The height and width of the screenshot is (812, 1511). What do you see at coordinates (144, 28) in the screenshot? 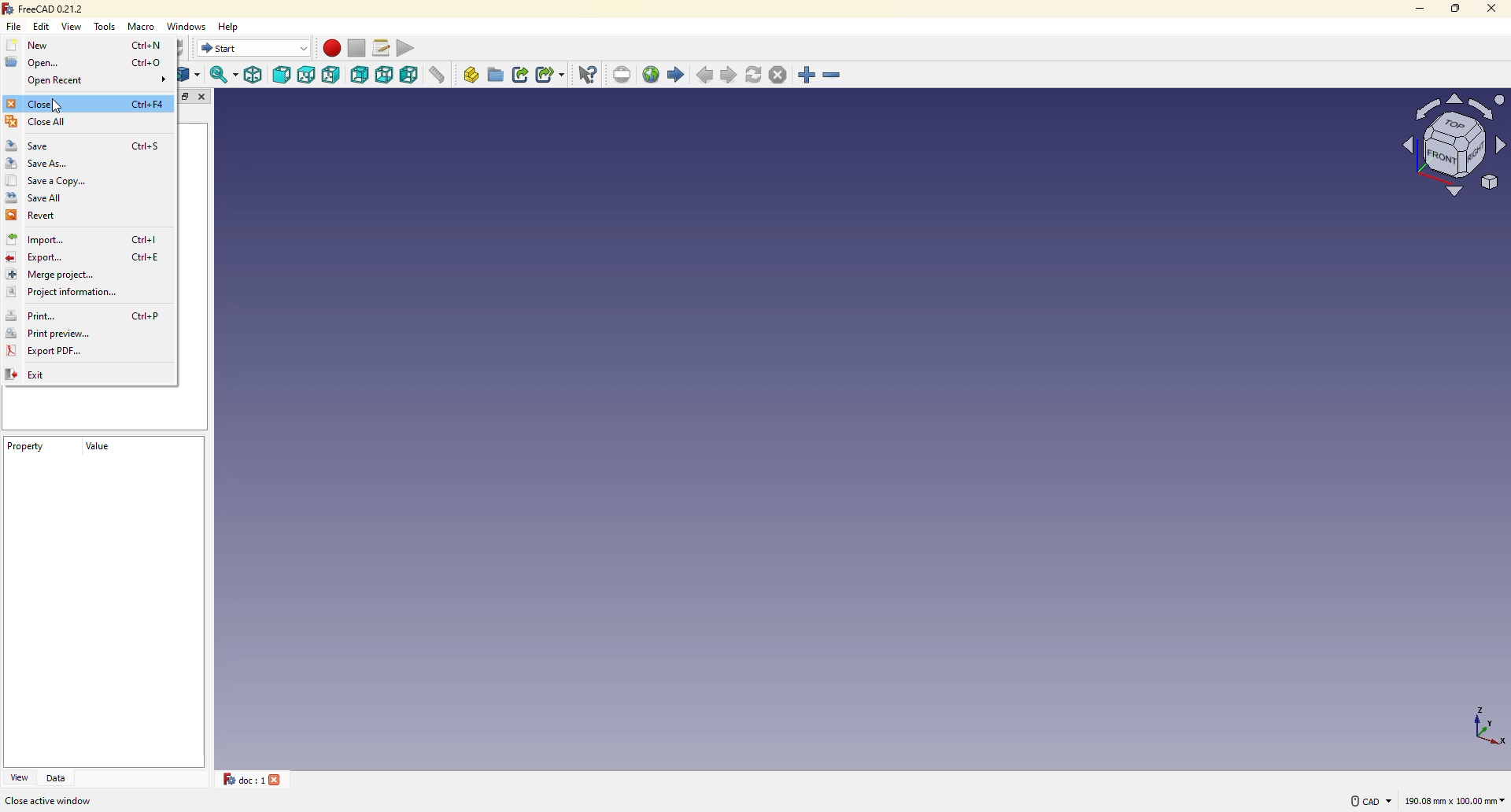
I see `macro` at bounding box center [144, 28].